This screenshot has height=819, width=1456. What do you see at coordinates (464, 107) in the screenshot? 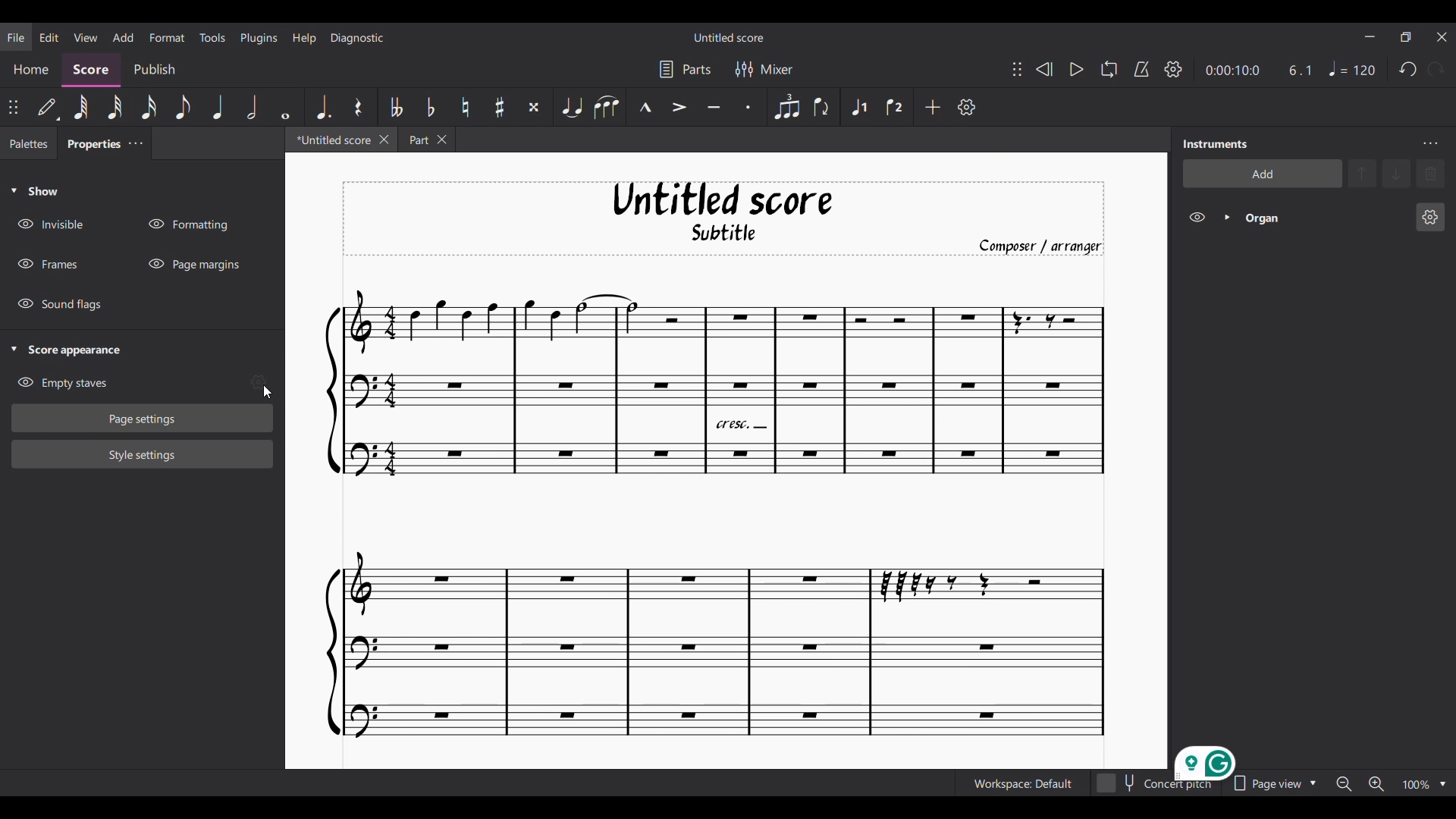
I see `Toggle nature` at bounding box center [464, 107].